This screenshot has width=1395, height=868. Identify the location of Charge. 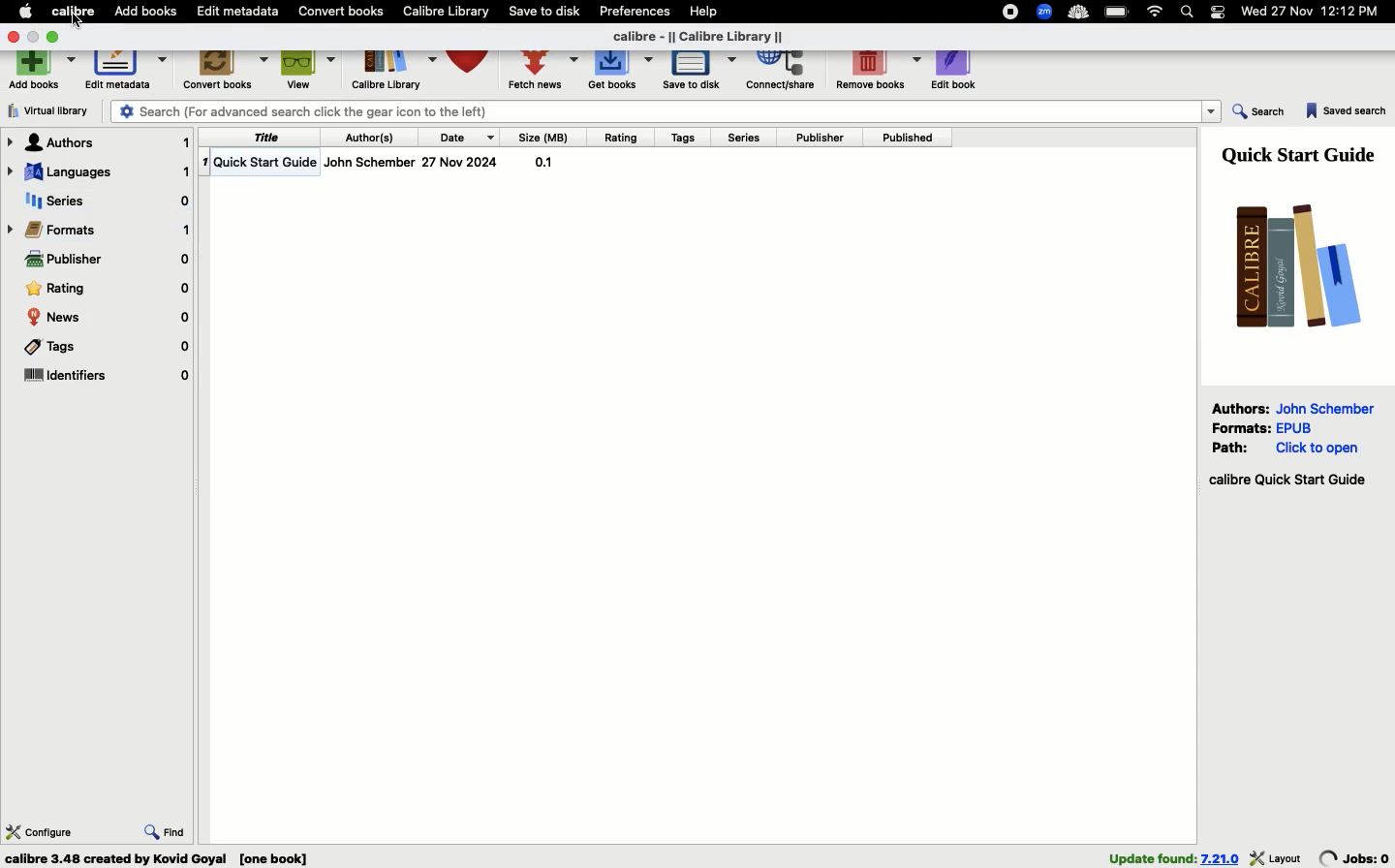
(1118, 13).